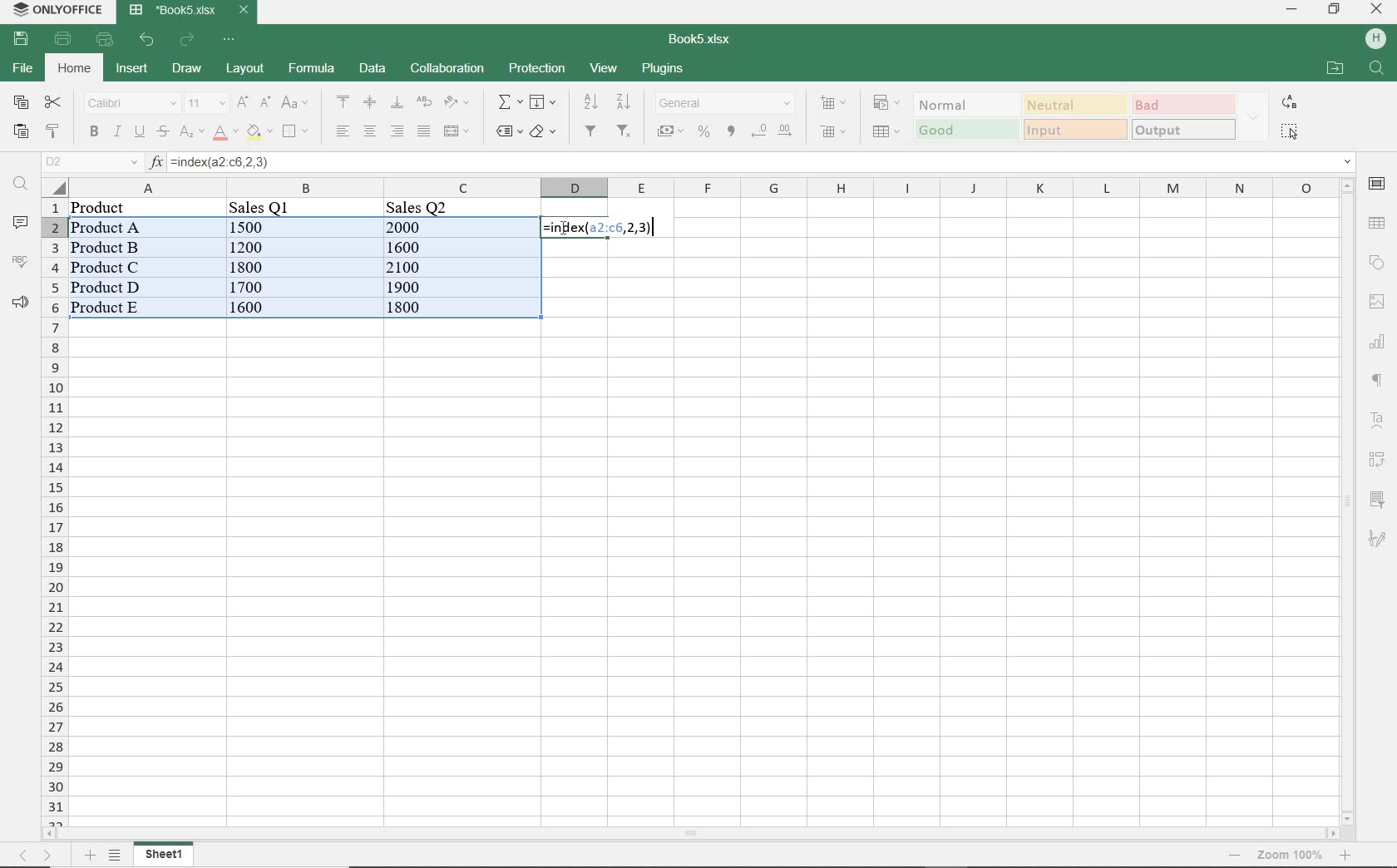 The image size is (1397, 868). What do you see at coordinates (884, 131) in the screenshot?
I see `format as table template` at bounding box center [884, 131].